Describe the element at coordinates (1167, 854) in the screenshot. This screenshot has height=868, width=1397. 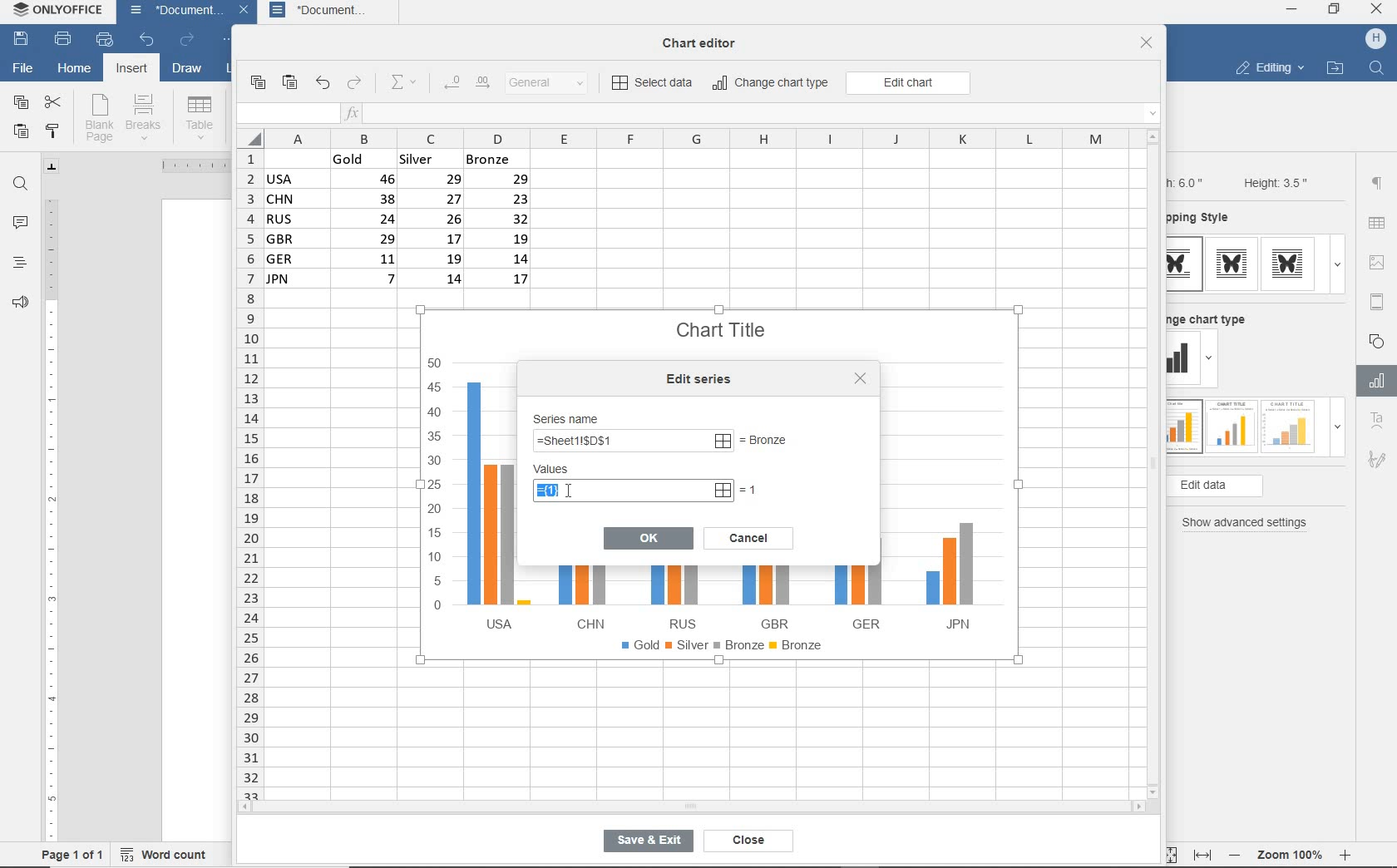
I see `fit to page` at that location.